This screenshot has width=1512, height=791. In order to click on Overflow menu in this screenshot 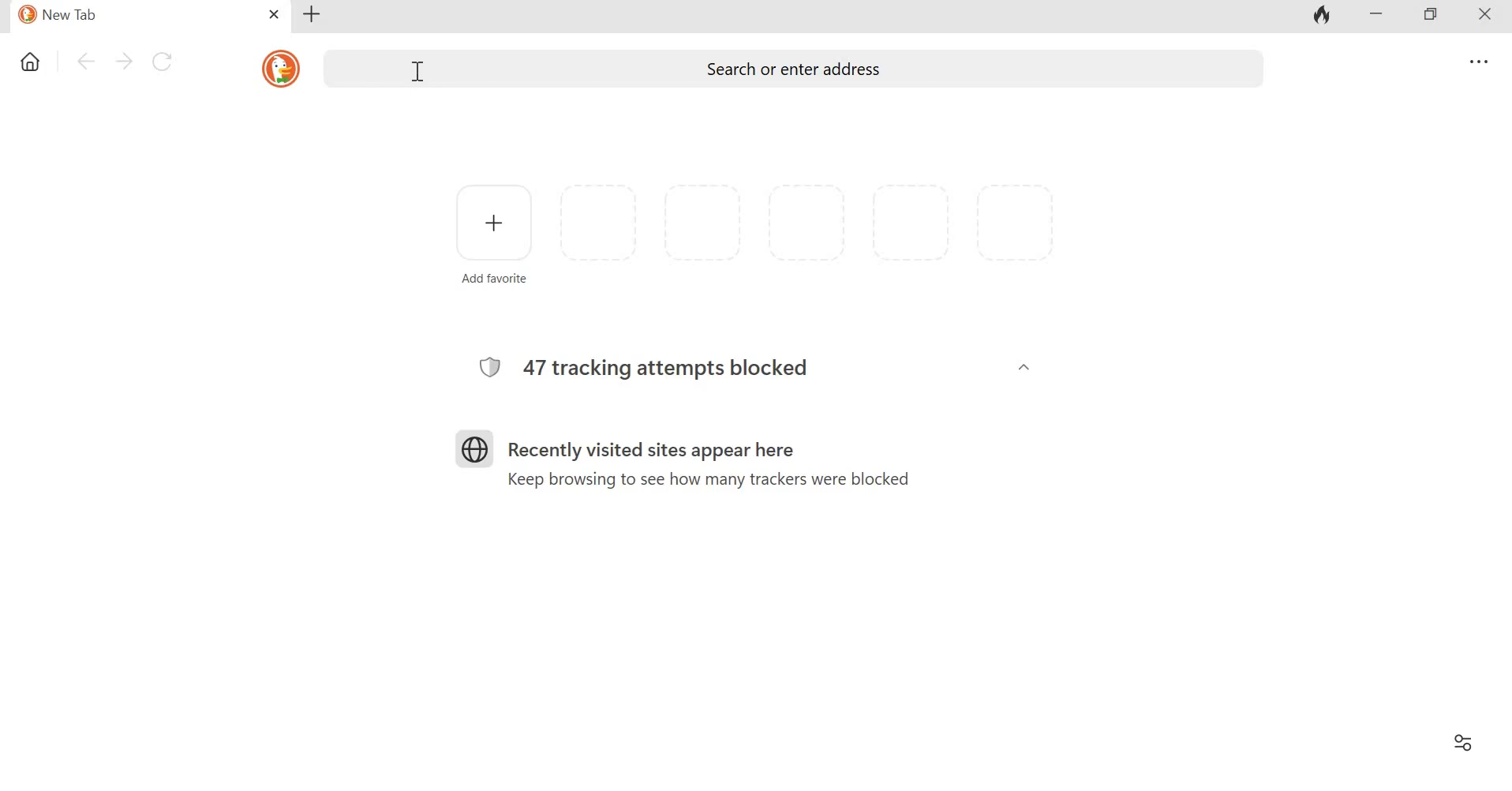, I will do `click(1480, 62)`.